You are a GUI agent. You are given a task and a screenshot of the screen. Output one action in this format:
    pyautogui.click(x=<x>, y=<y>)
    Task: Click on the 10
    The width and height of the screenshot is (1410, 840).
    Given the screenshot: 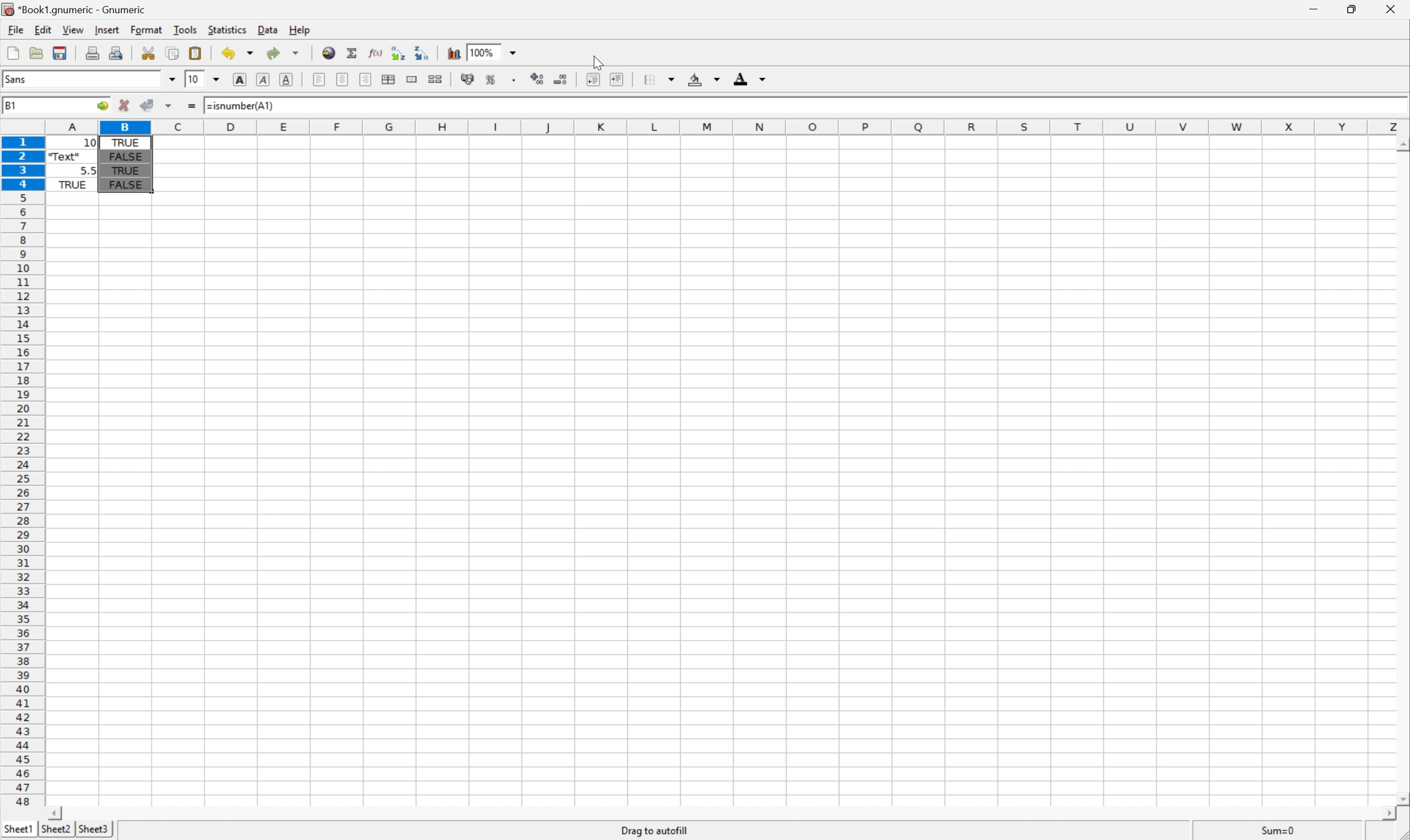 What is the action you would take?
    pyautogui.click(x=72, y=143)
    